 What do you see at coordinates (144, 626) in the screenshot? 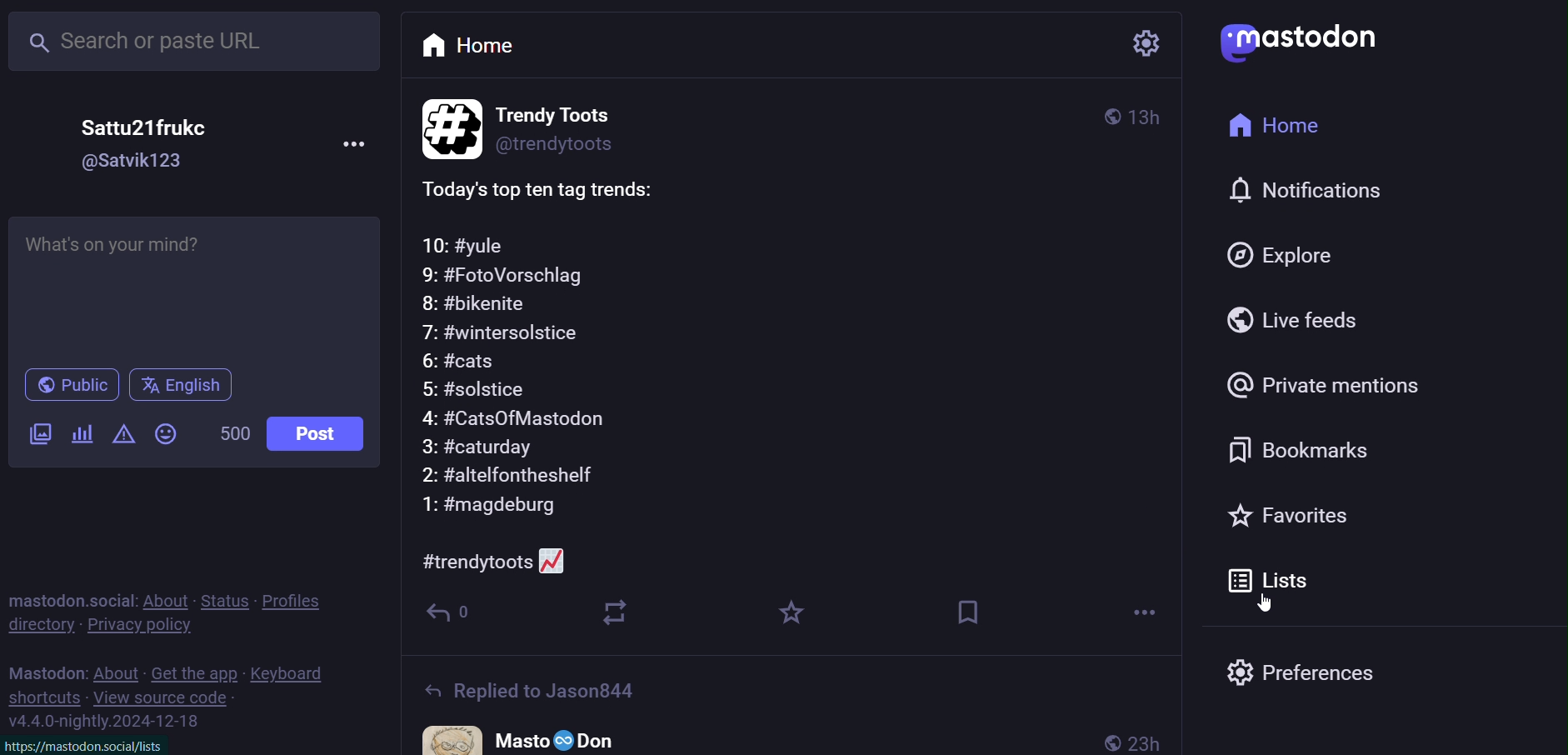
I see `private policy` at bounding box center [144, 626].